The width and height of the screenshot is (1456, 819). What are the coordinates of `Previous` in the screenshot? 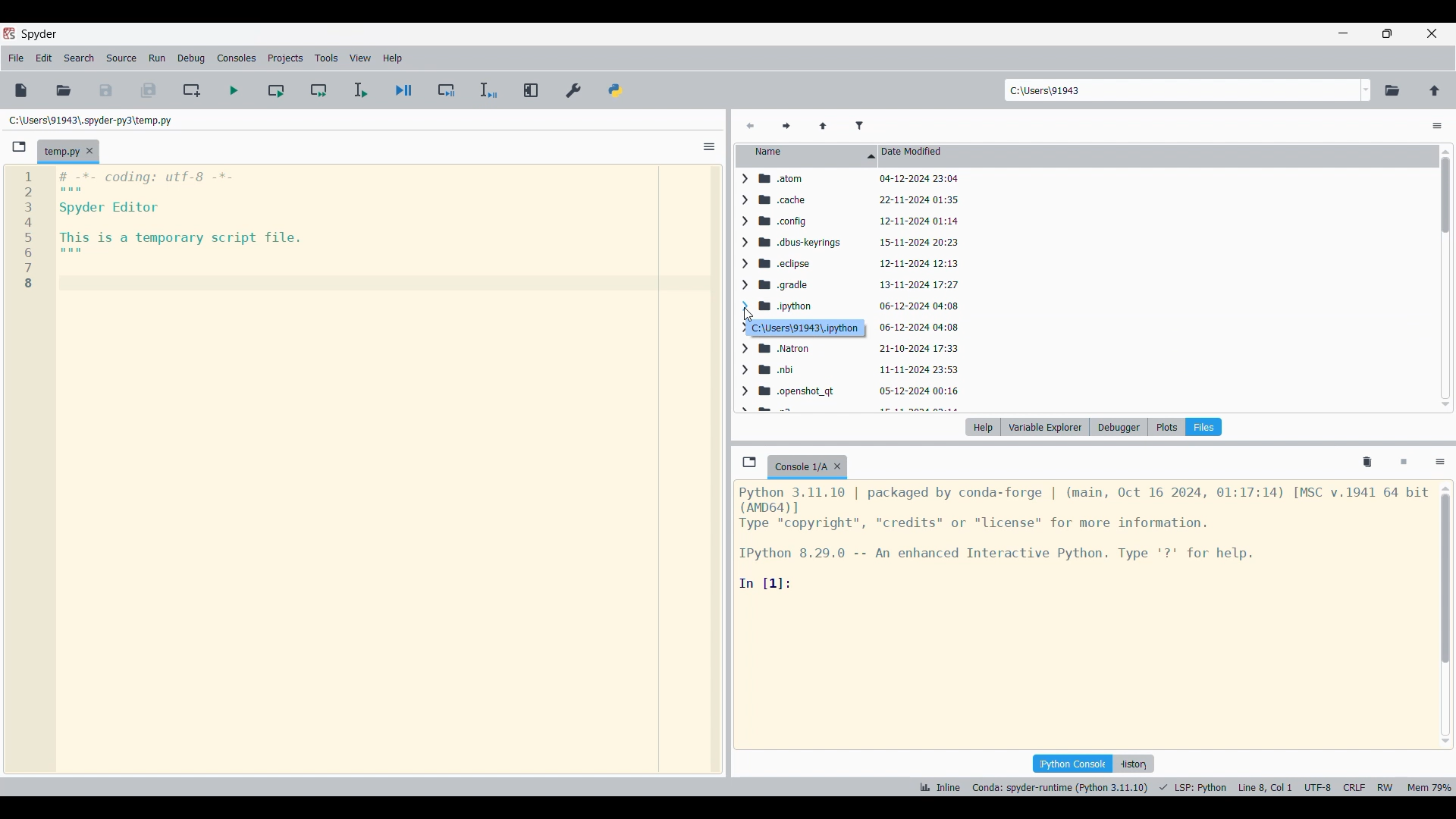 It's located at (750, 127).